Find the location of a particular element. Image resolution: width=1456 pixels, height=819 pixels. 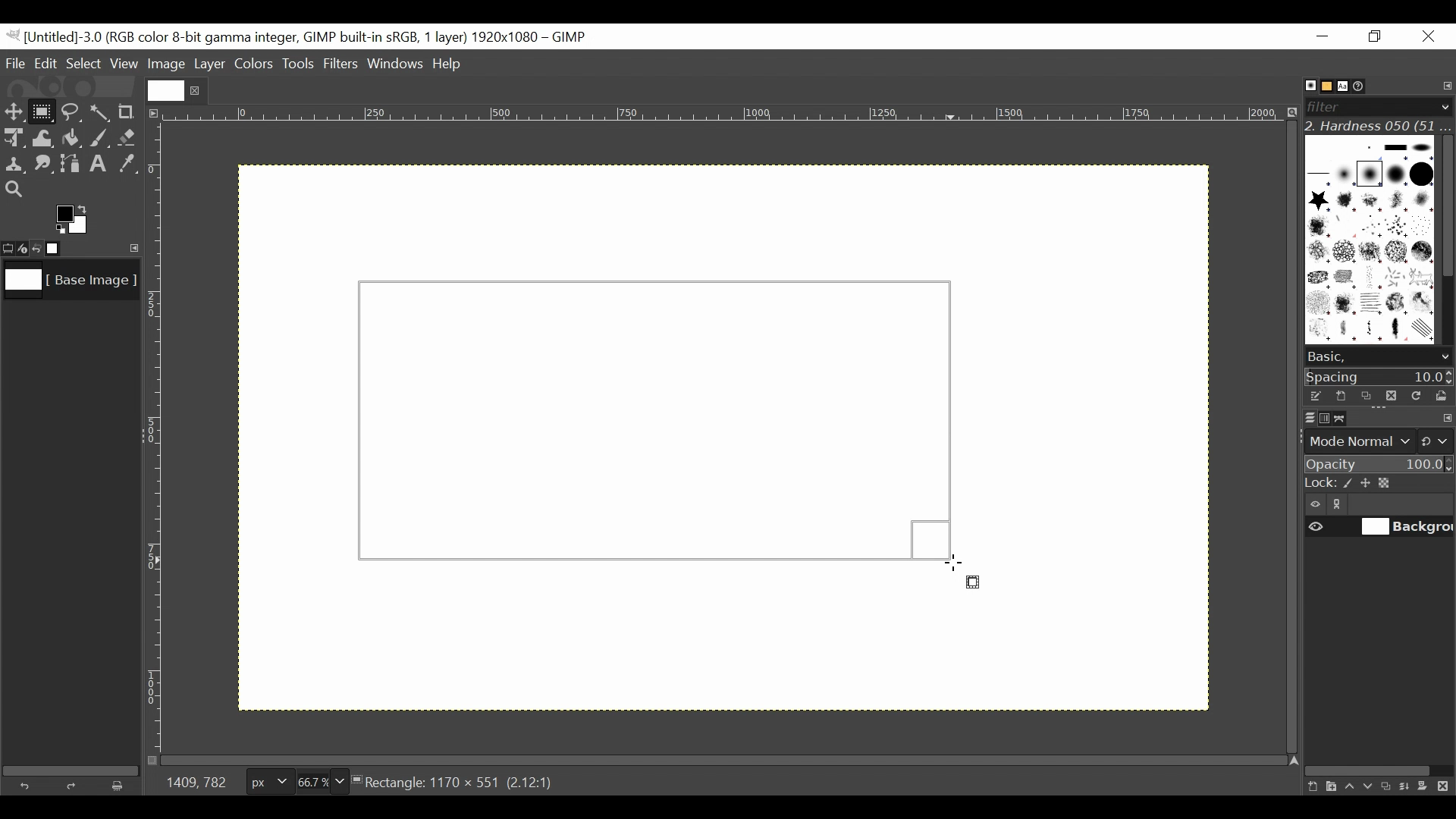

Fonts is located at coordinates (1345, 85).